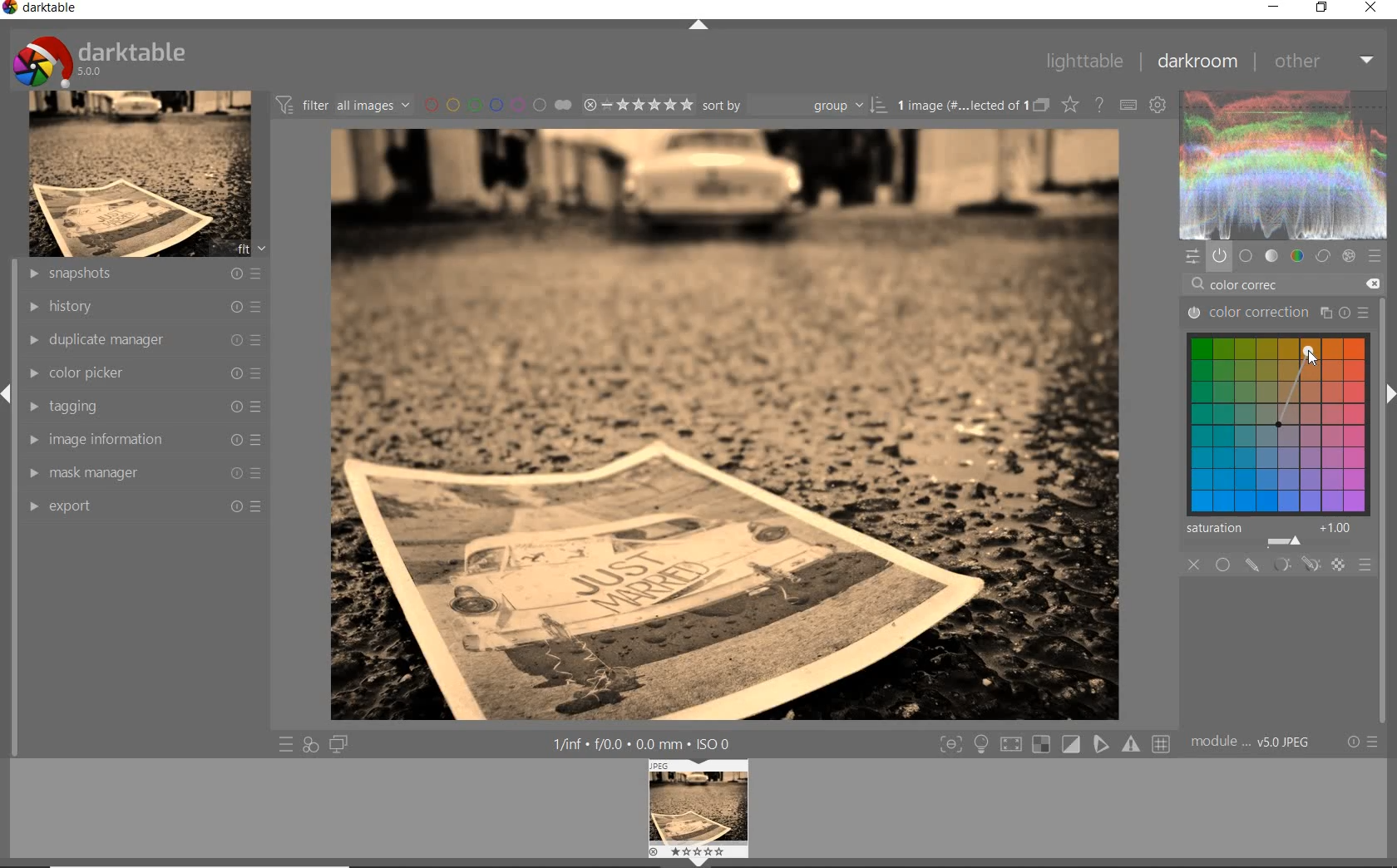 The image size is (1397, 868). Describe the element at coordinates (1326, 62) in the screenshot. I see `other` at that location.